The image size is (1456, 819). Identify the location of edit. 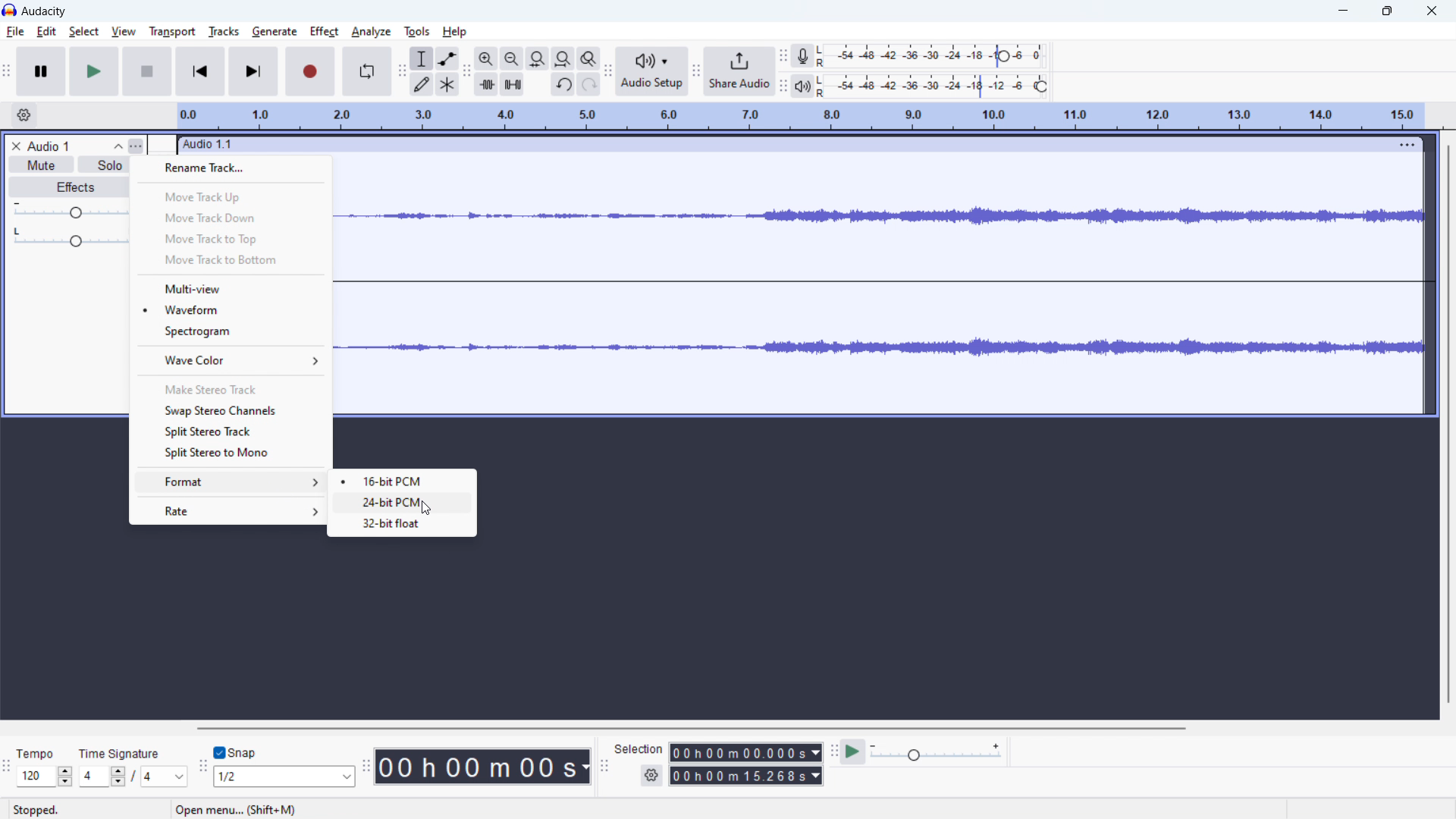
(47, 32).